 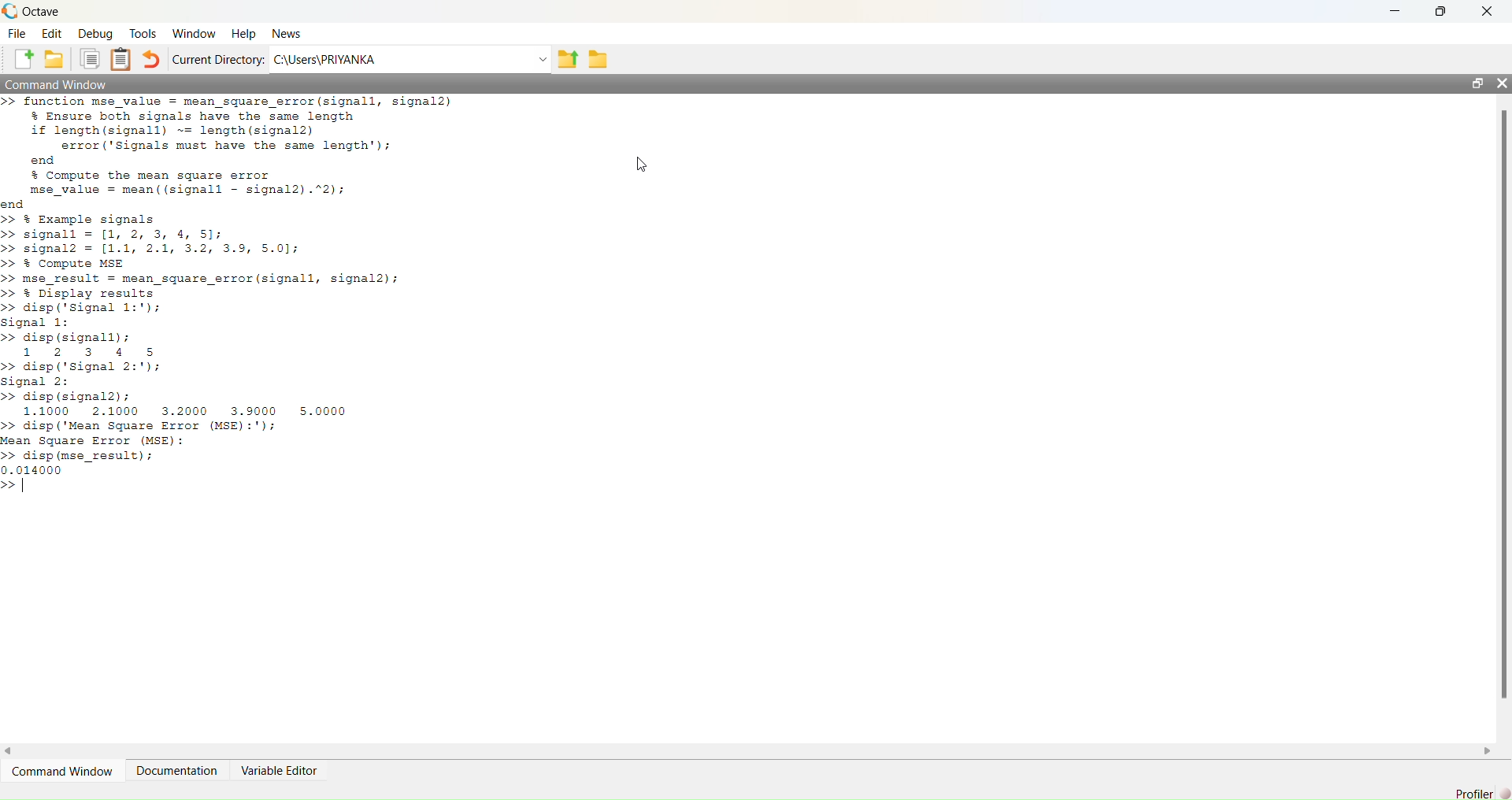 I want to click on clip board, so click(x=120, y=59).